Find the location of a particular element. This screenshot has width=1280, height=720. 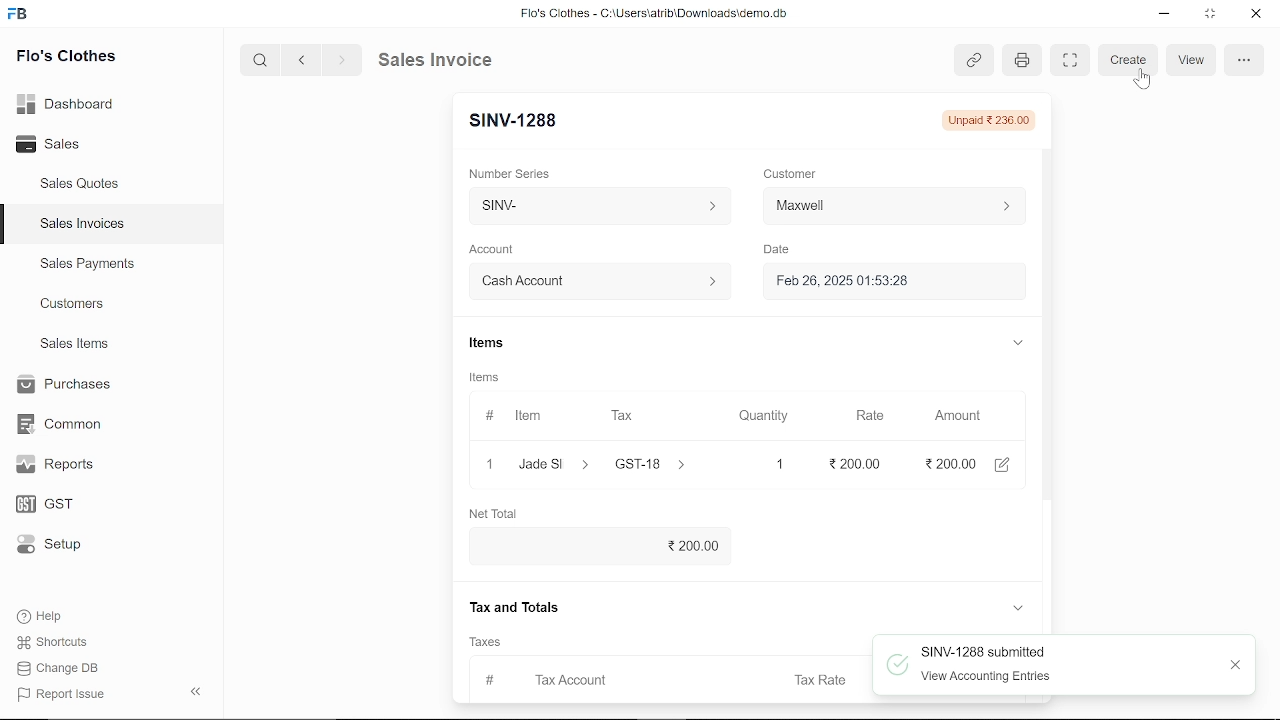

Tax Account is located at coordinates (601, 678).